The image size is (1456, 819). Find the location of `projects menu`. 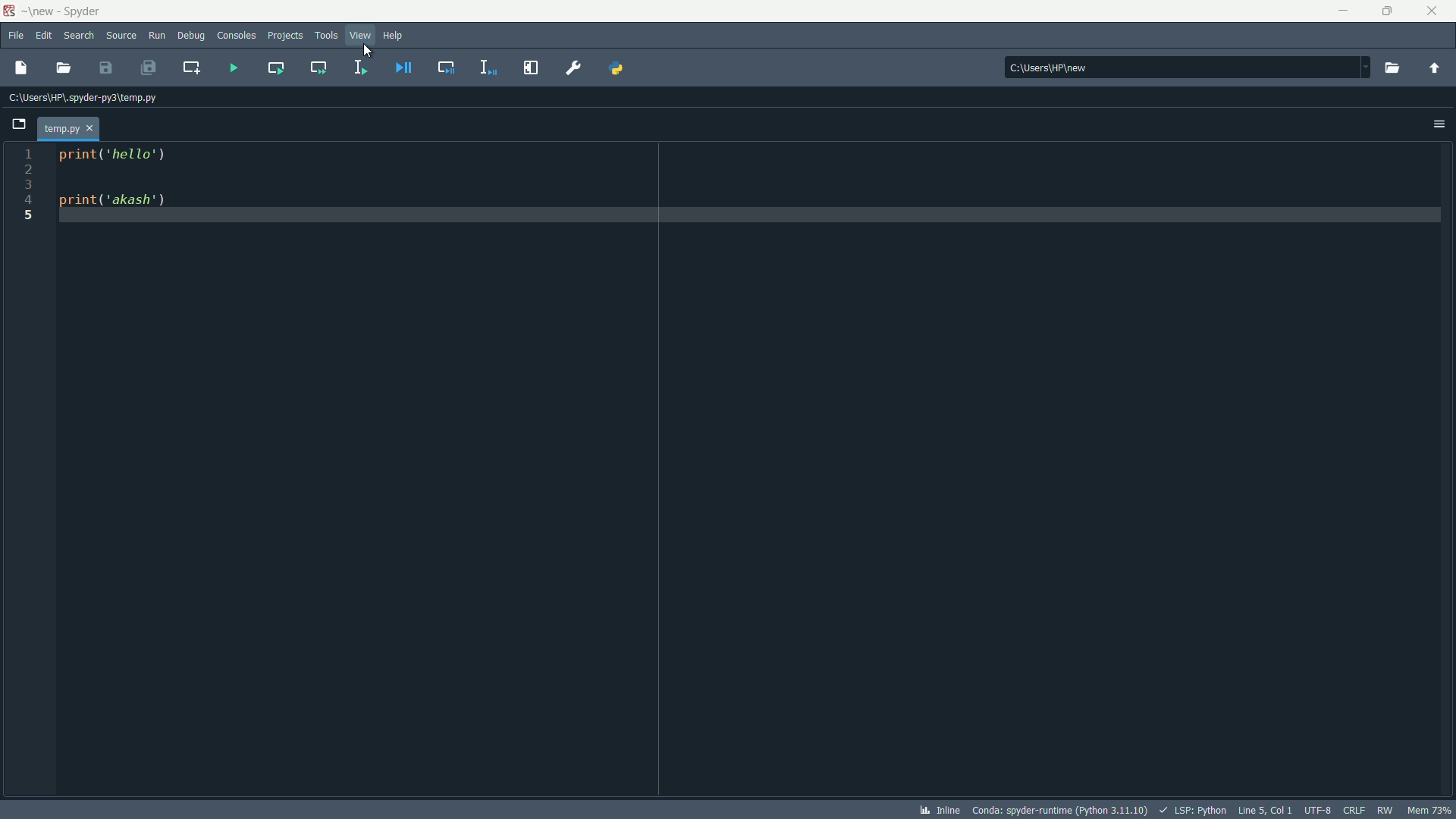

projects menu is located at coordinates (285, 35).